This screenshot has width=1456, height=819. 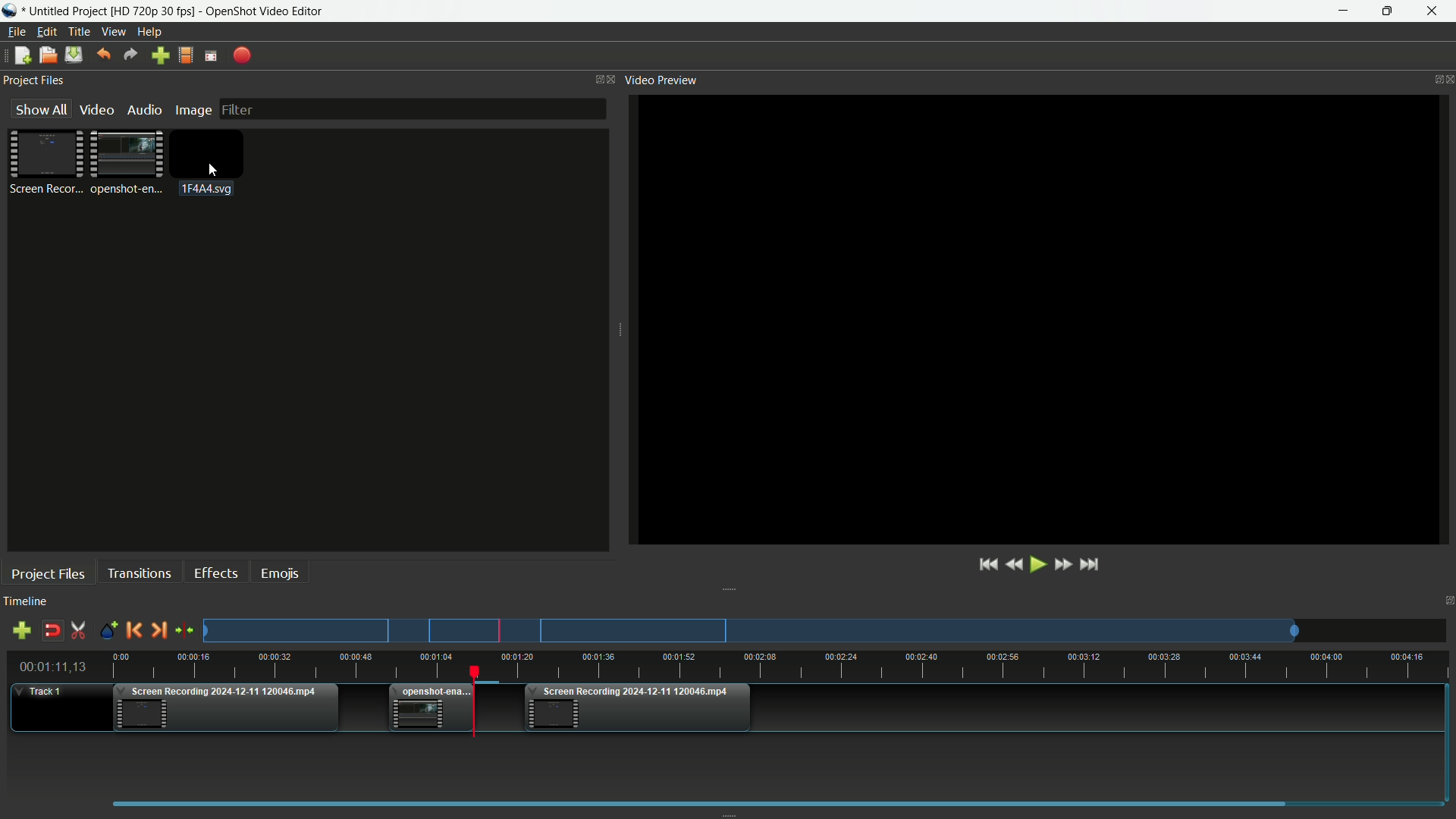 What do you see at coordinates (185, 631) in the screenshot?
I see `center the timeline on the playhead` at bounding box center [185, 631].